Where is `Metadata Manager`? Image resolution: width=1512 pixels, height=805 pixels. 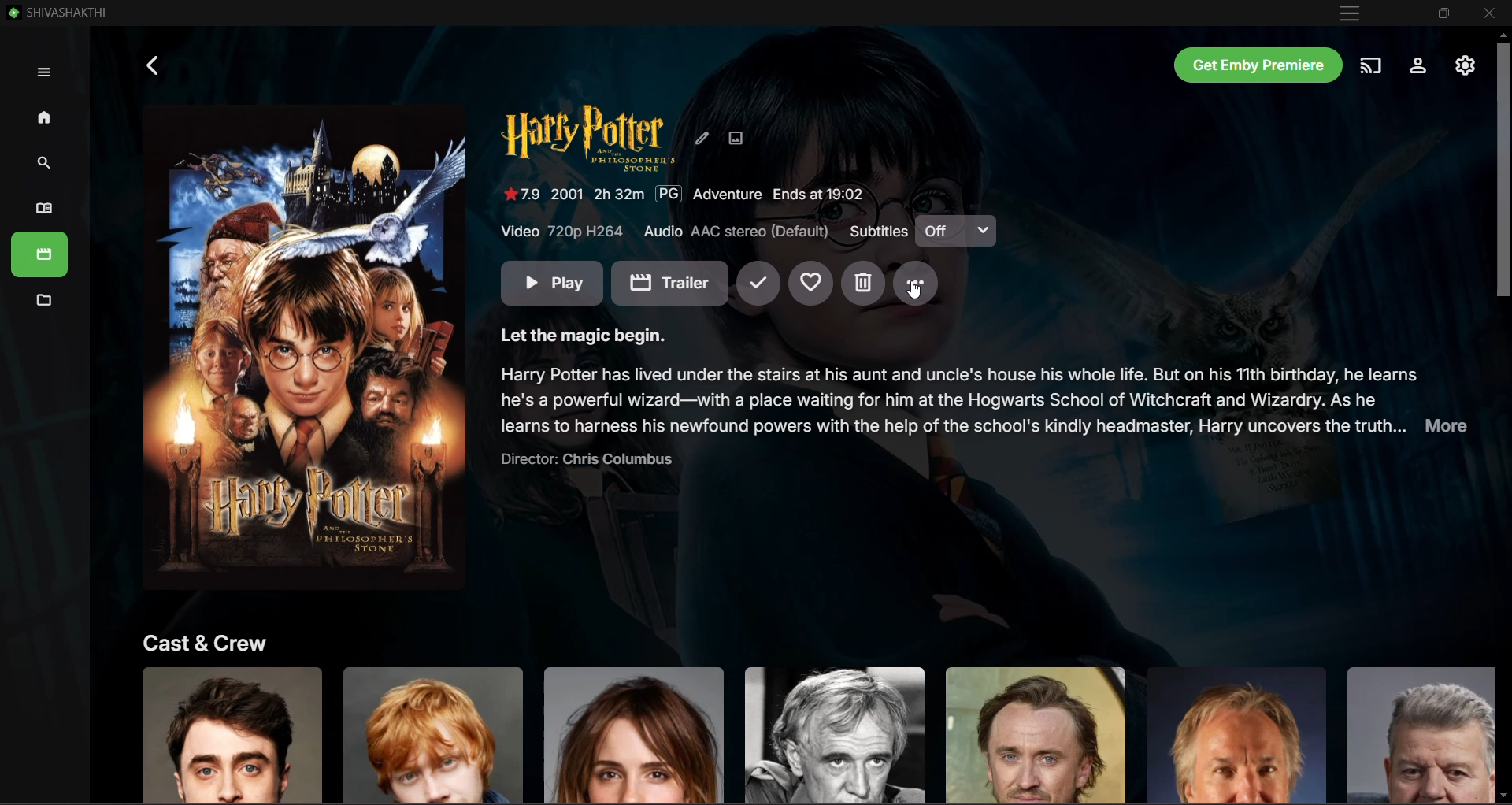
Metadata Manager is located at coordinates (42, 302).